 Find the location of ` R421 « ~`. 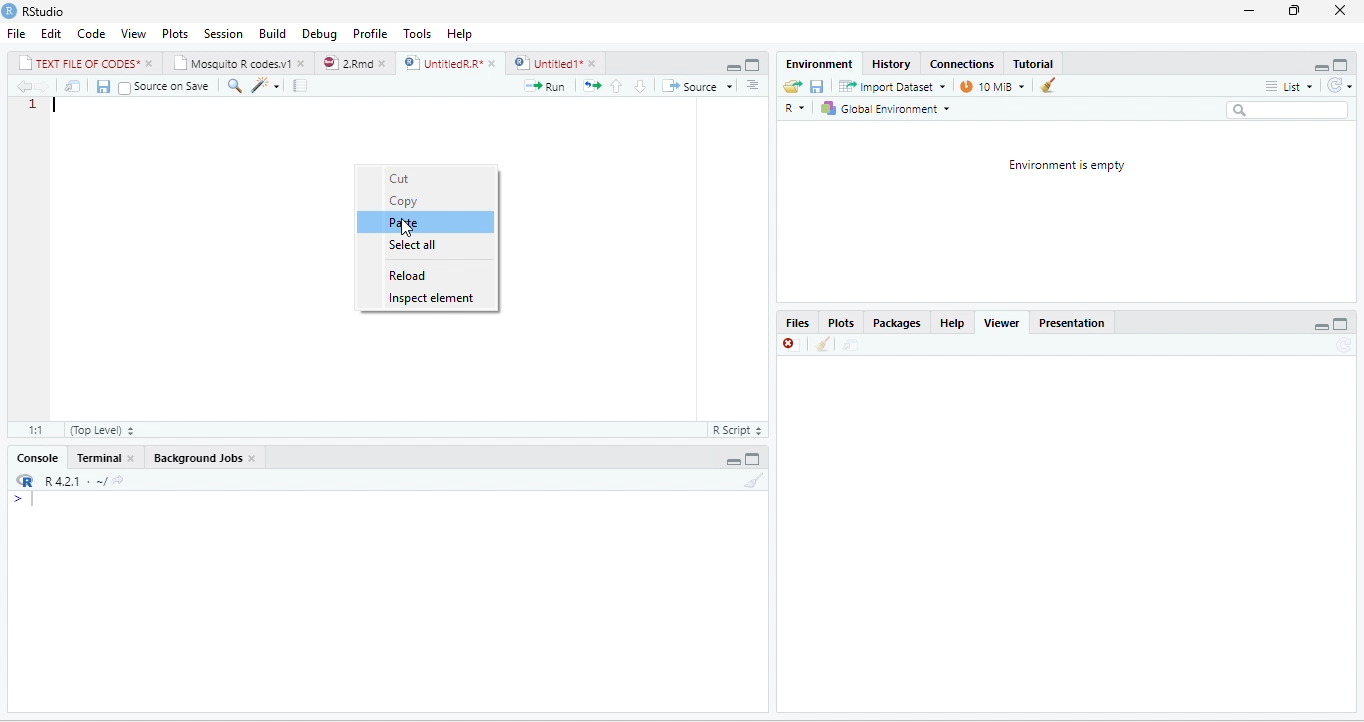

 R421 « ~ is located at coordinates (66, 478).